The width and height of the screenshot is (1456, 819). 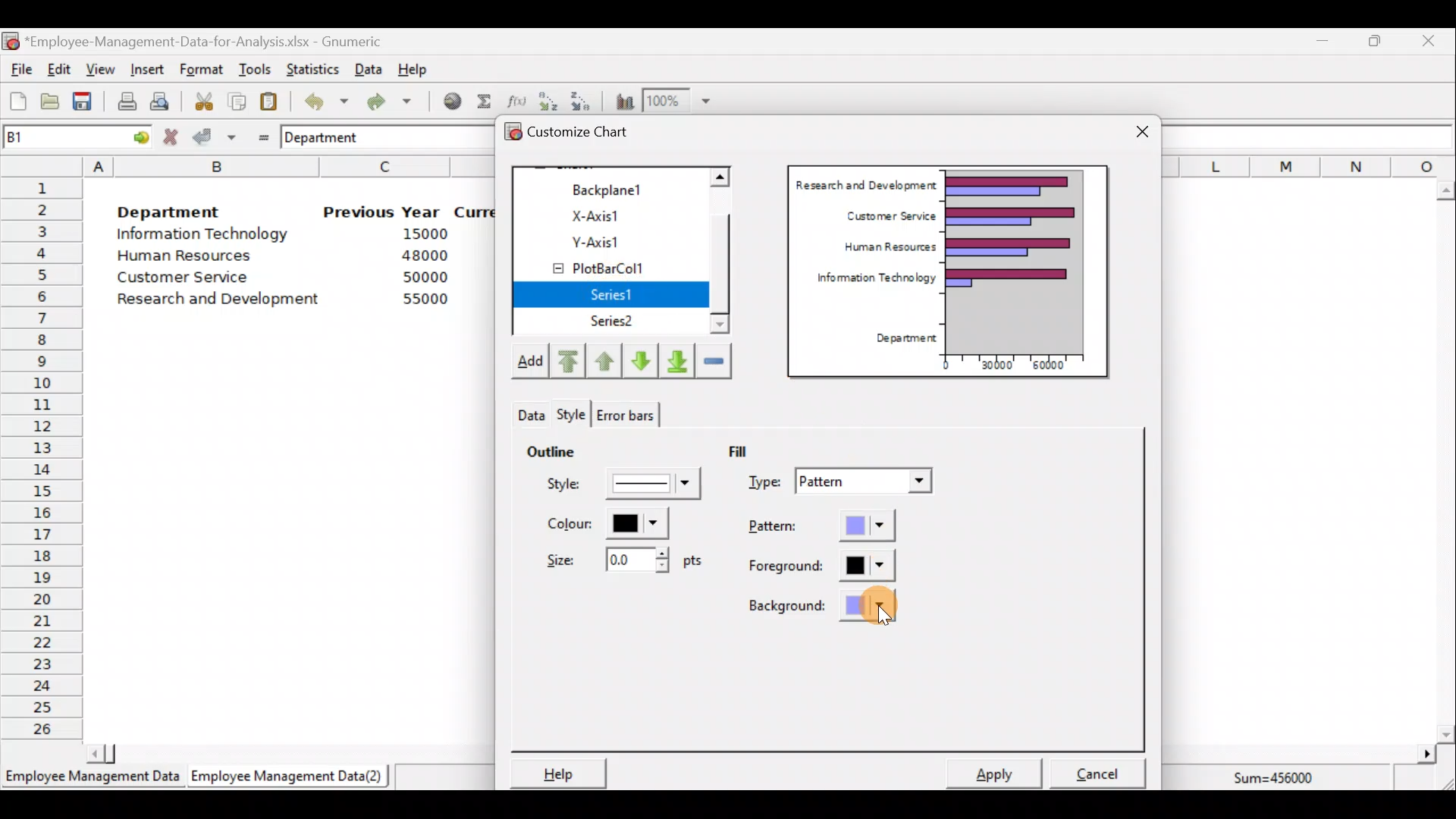 I want to click on Edit, so click(x=60, y=71).